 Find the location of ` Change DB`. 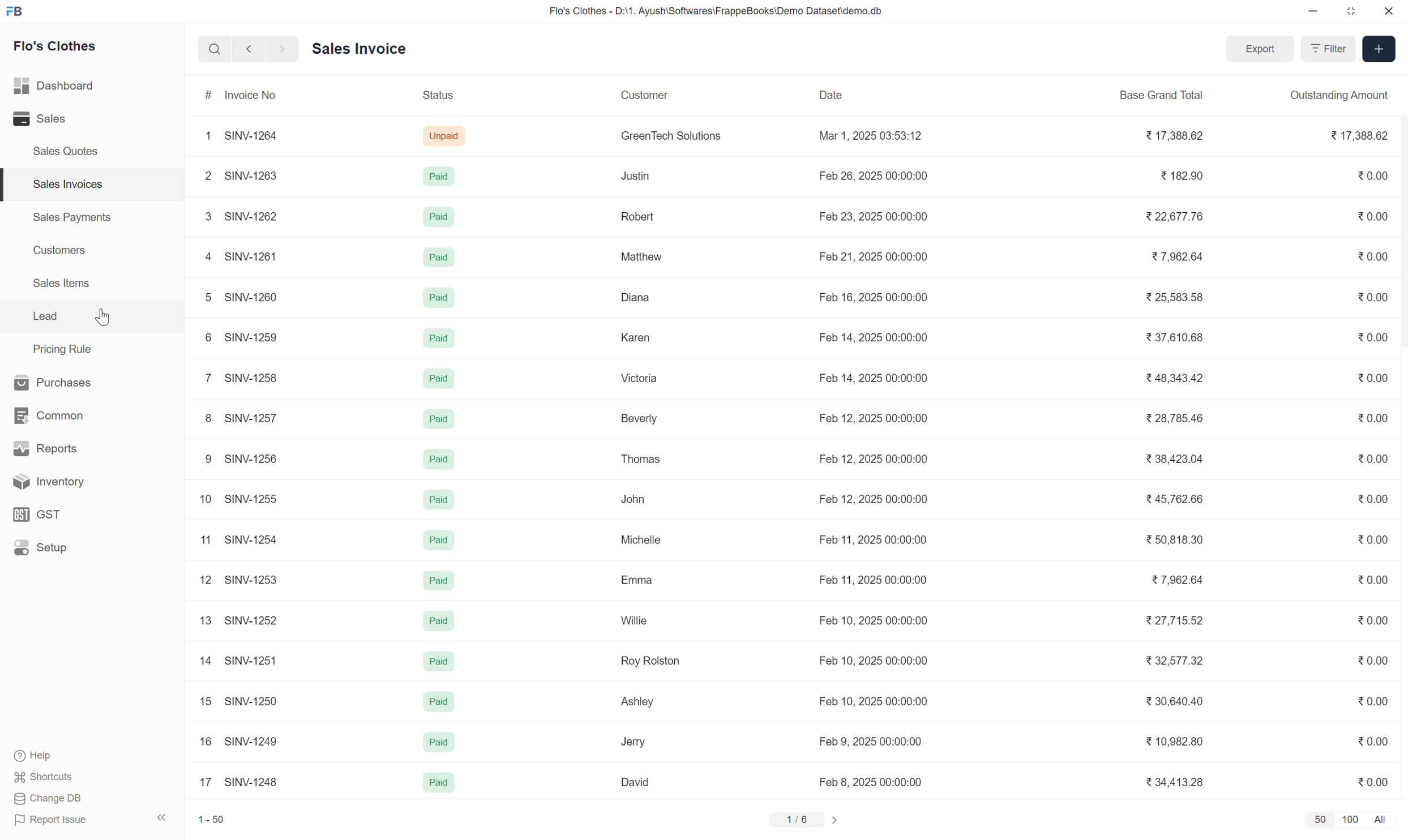

 Change DB is located at coordinates (46, 800).